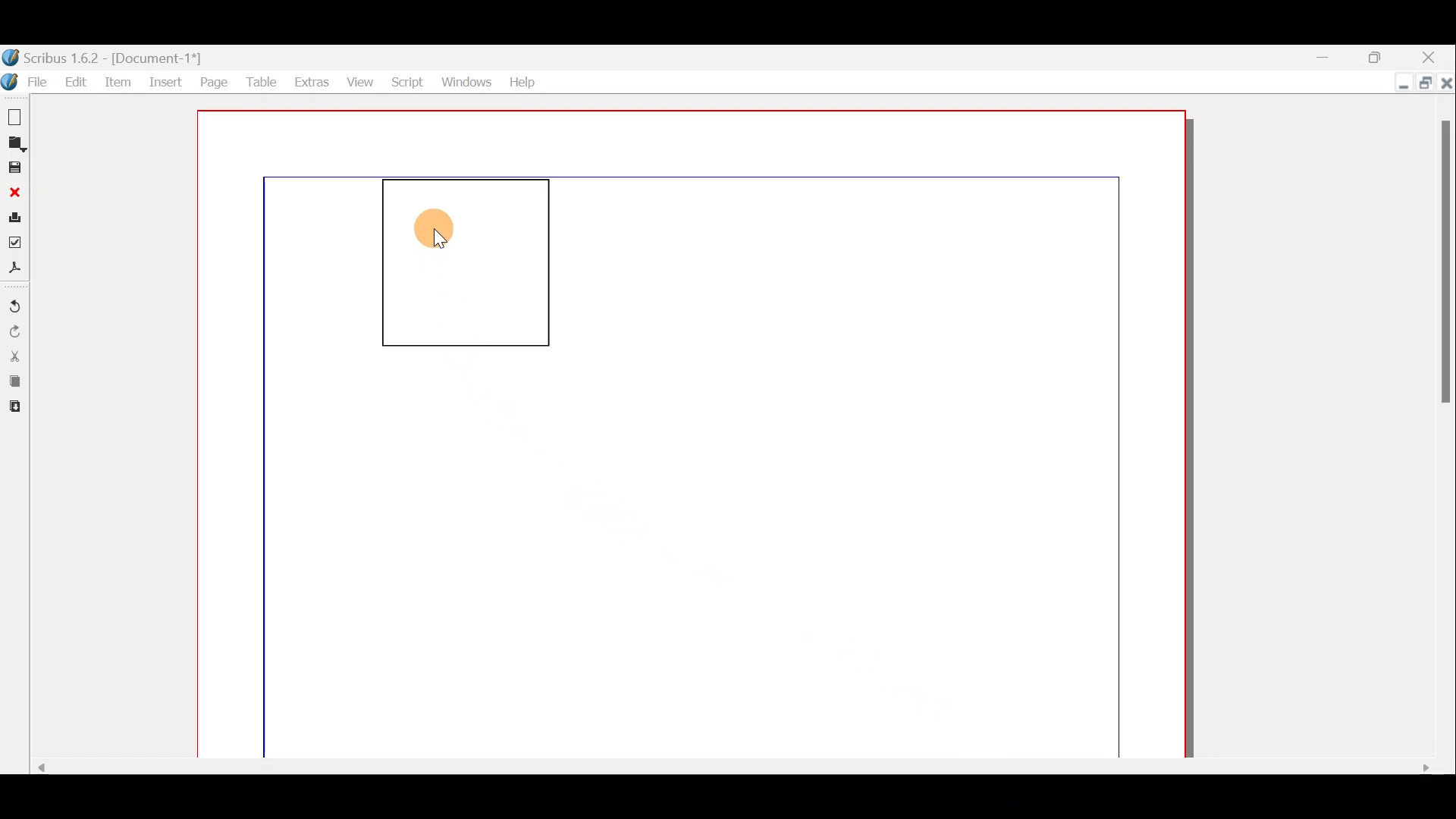  I want to click on Cut, so click(14, 356).